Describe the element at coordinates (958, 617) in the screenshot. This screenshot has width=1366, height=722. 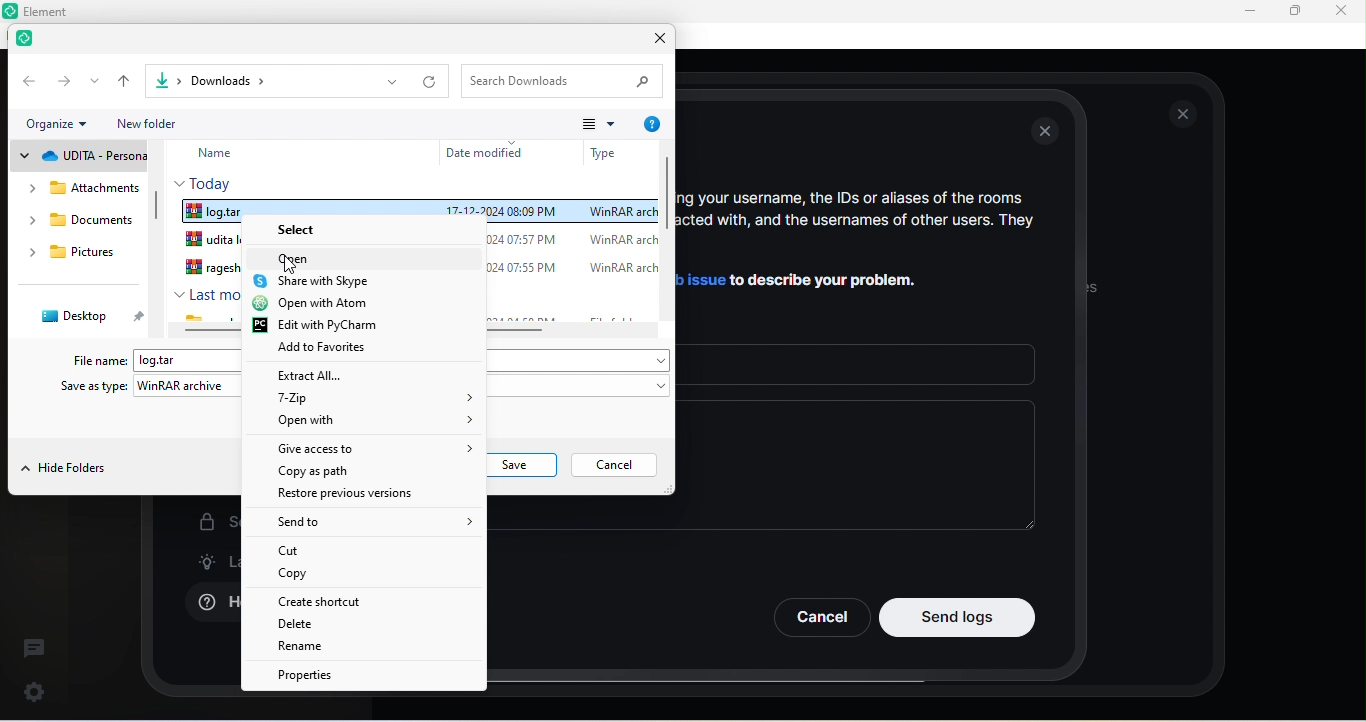
I see `Send Logs` at that location.